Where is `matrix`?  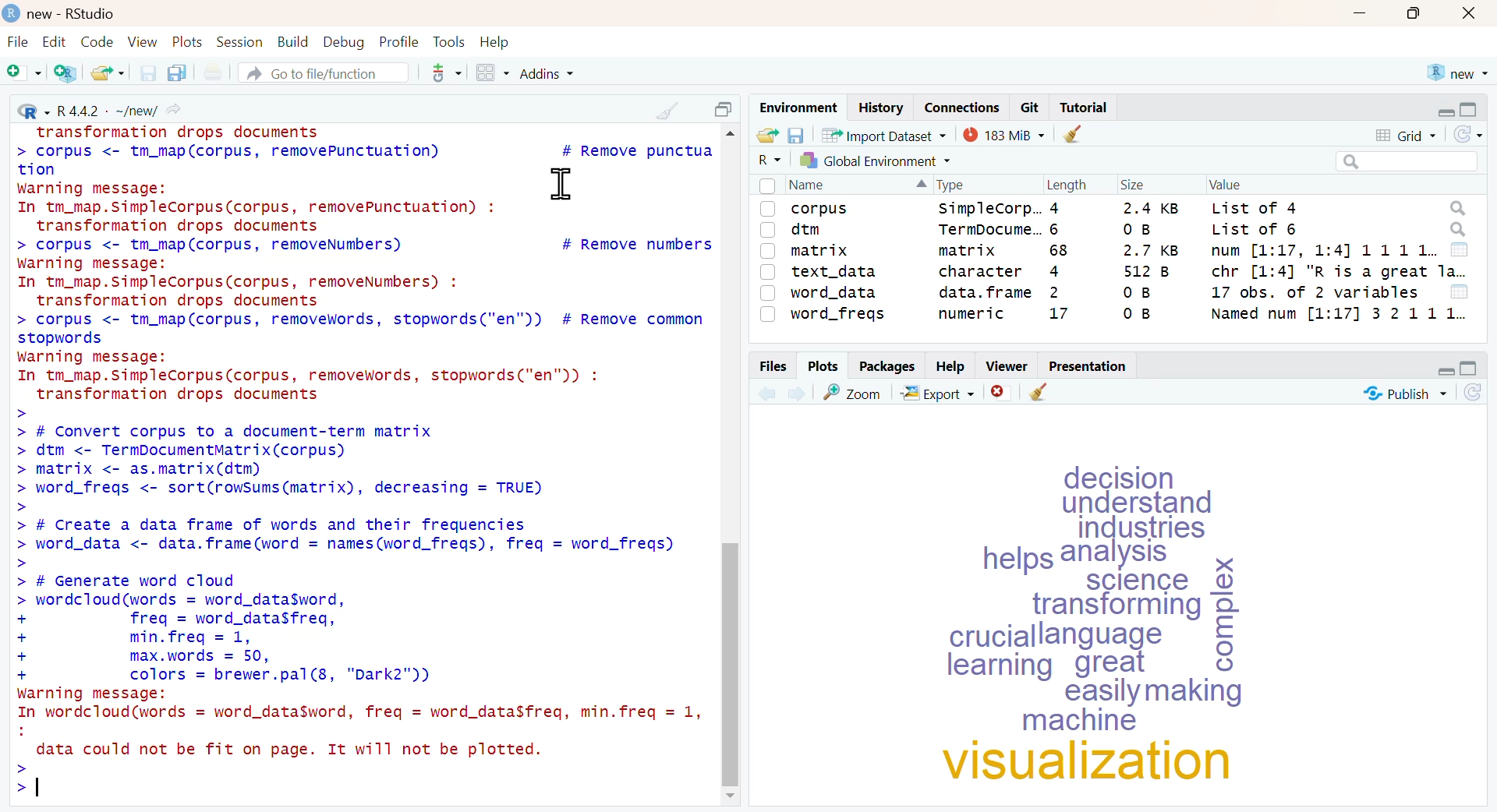 matrix is located at coordinates (823, 252).